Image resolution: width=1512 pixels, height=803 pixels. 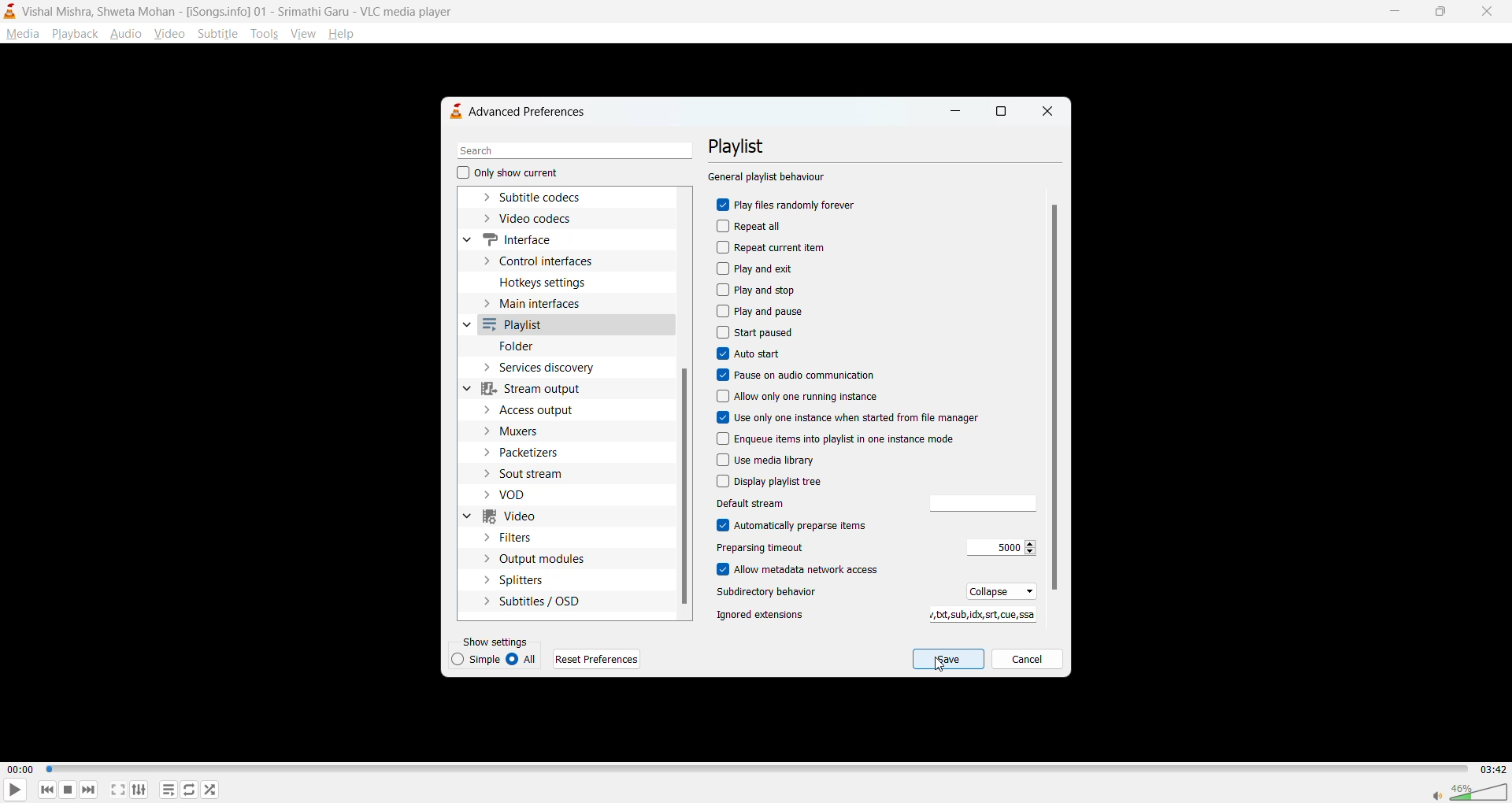 What do you see at coordinates (773, 594) in the screenshot?
I see `subdirectory behaviour` at bounding box center [773, 594].